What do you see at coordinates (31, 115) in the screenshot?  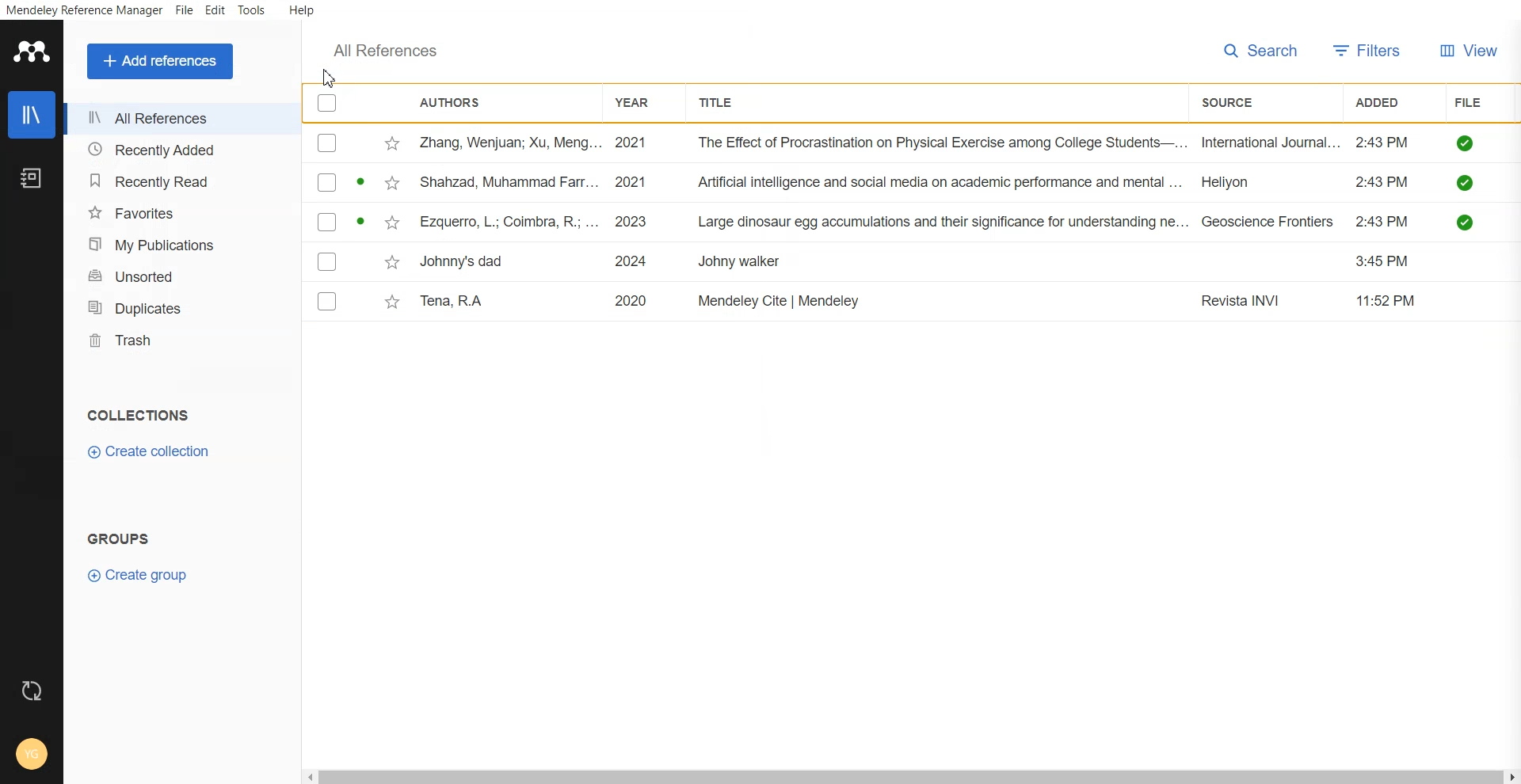 I see `Library` at bounding box center [31, 115].